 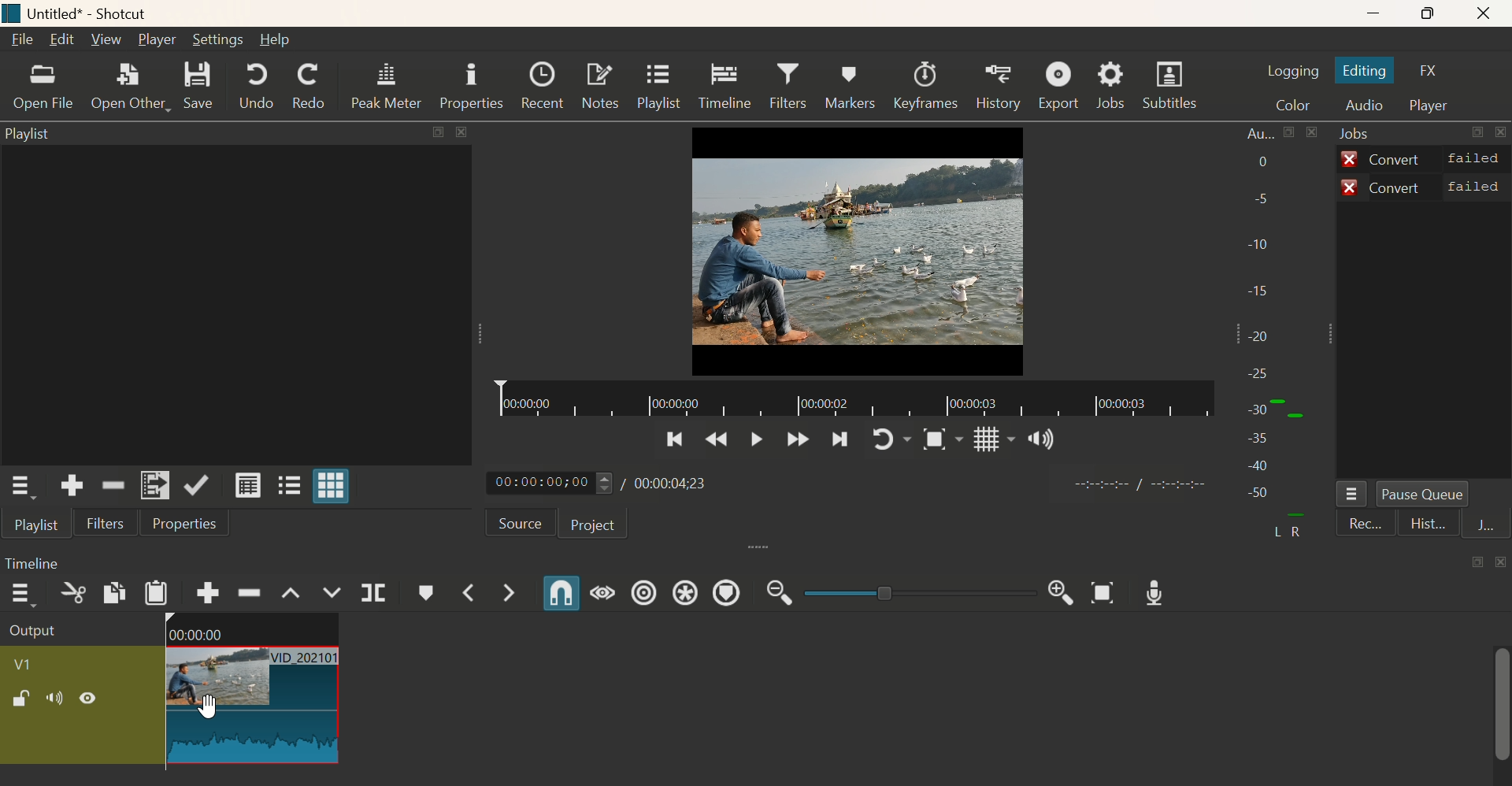 I want to click on Append, so click(x=206, y=592).